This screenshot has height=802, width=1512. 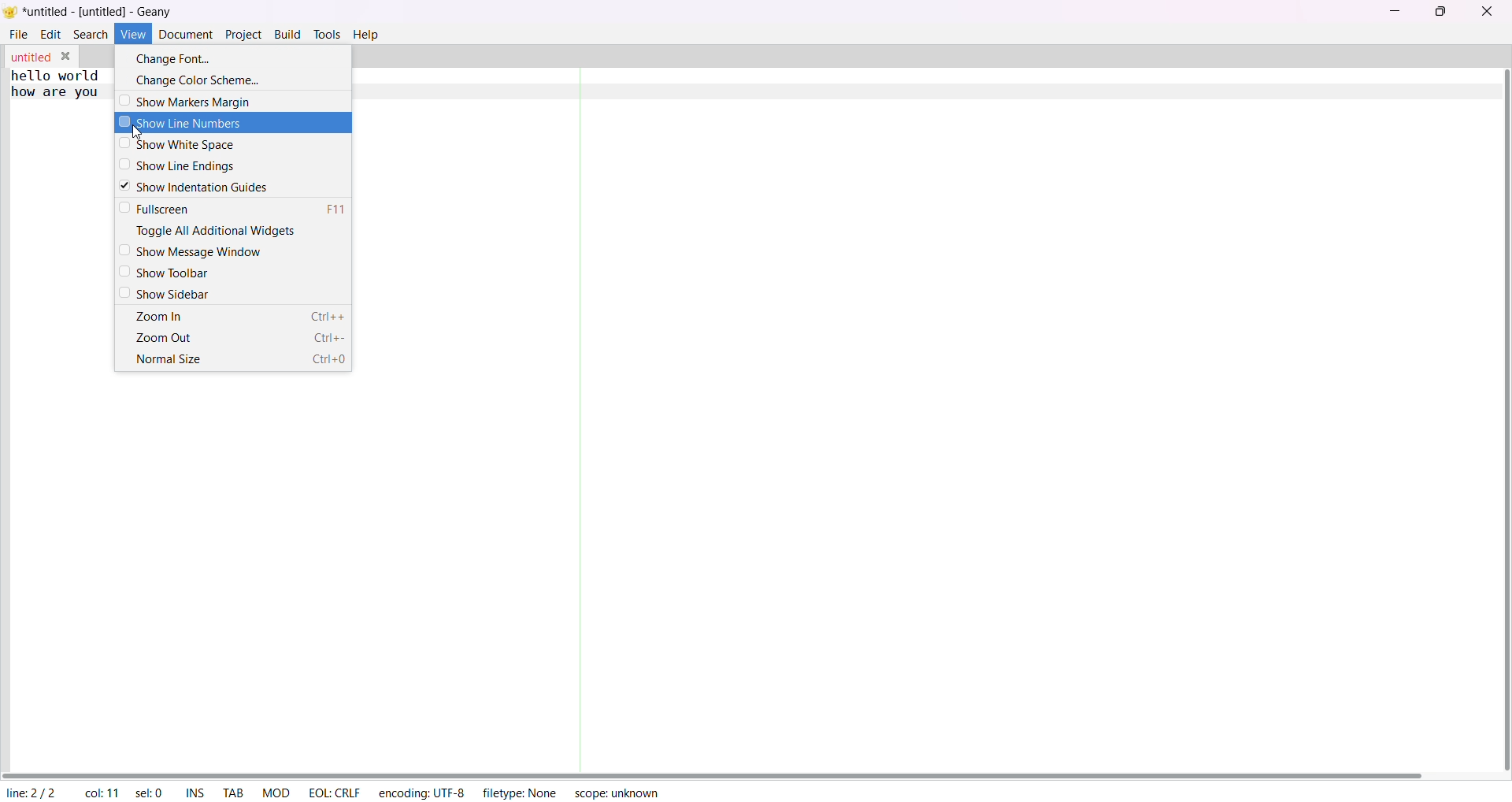 I want to click on cursor, so click(x=124, y=134).